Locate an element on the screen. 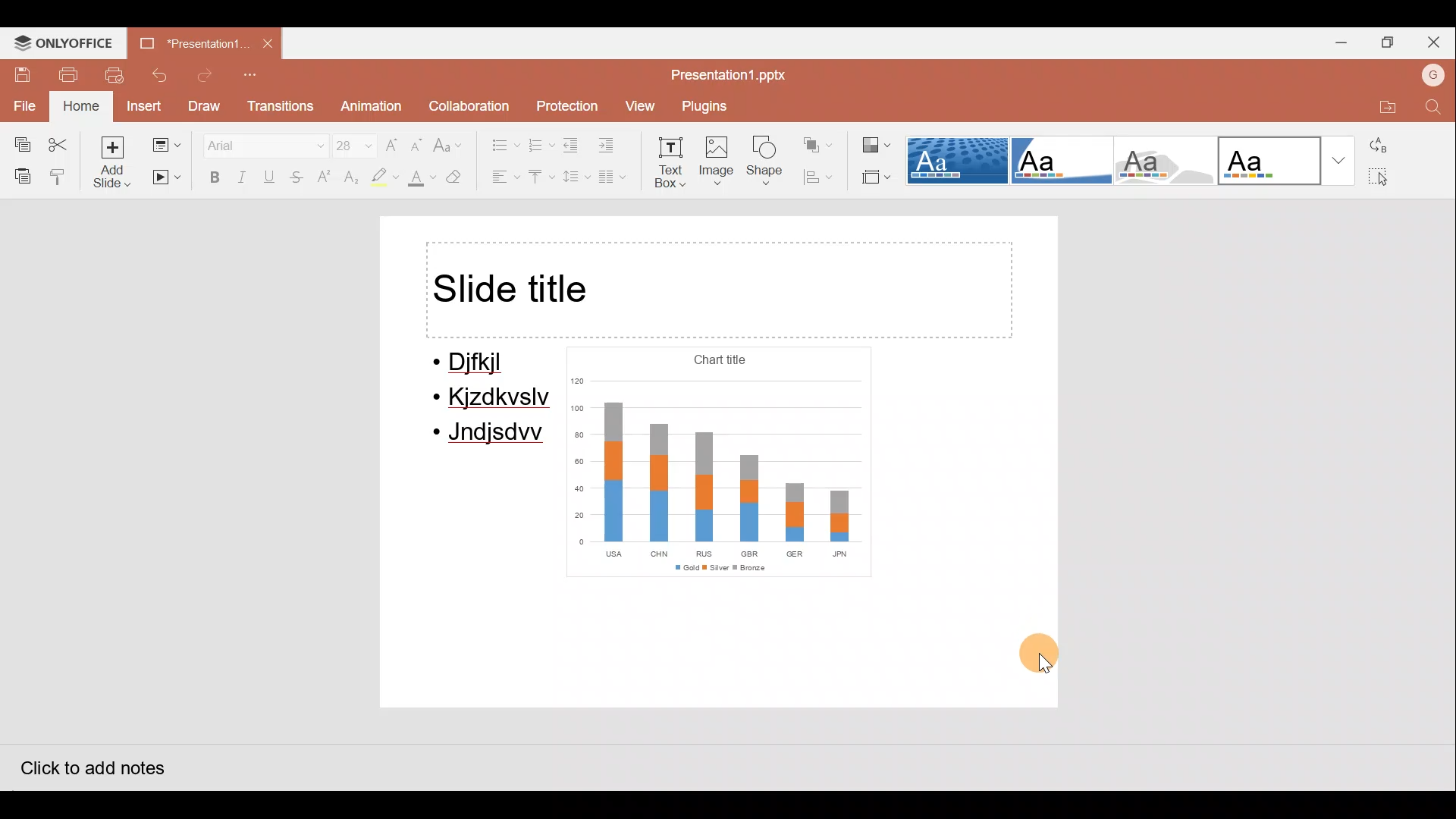 This screenshot has height=819, width=1456. Collaboration is located at coordinates (472, 104).